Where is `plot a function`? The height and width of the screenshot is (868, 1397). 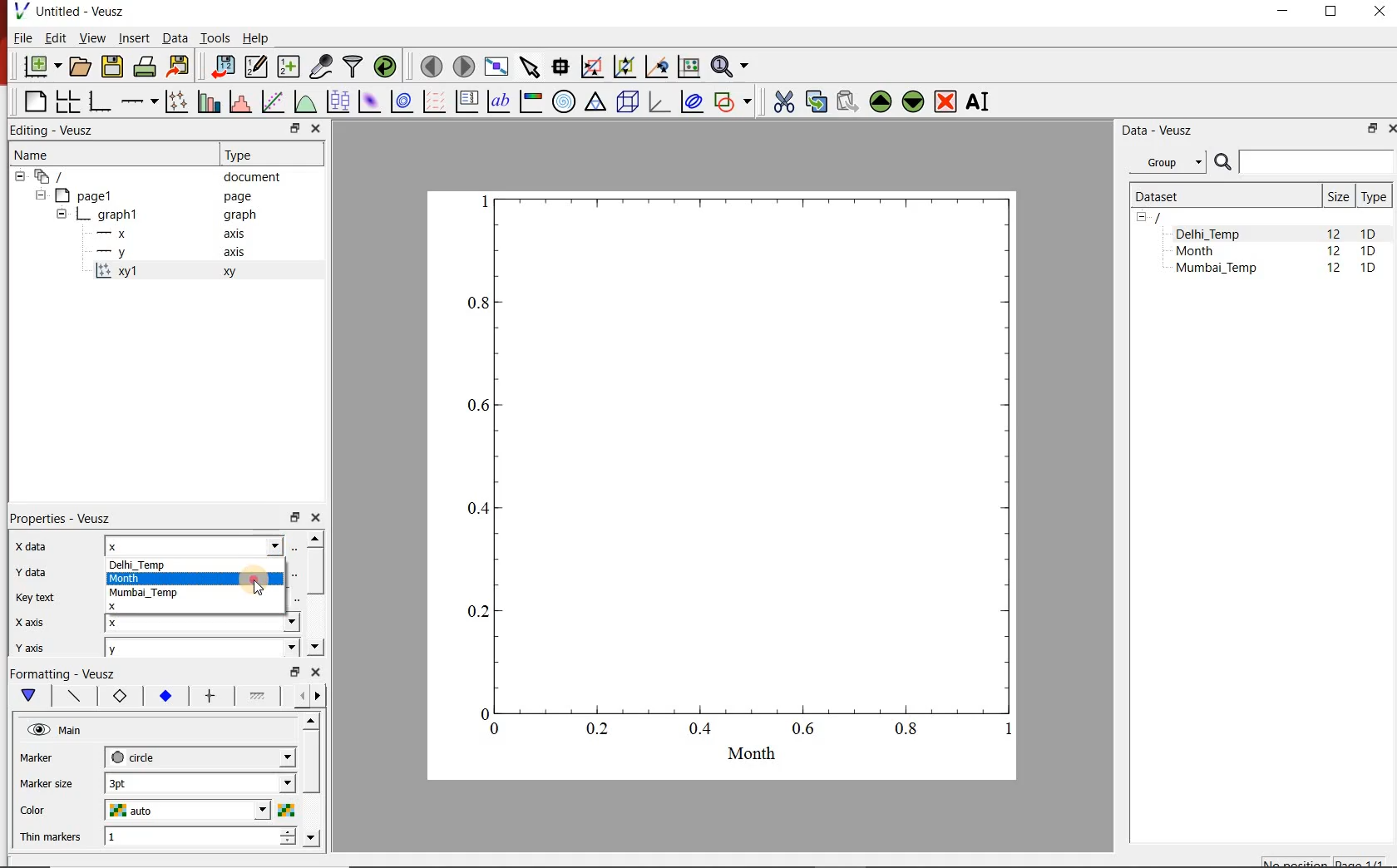 plot a function is located at coordinates (305, 101).